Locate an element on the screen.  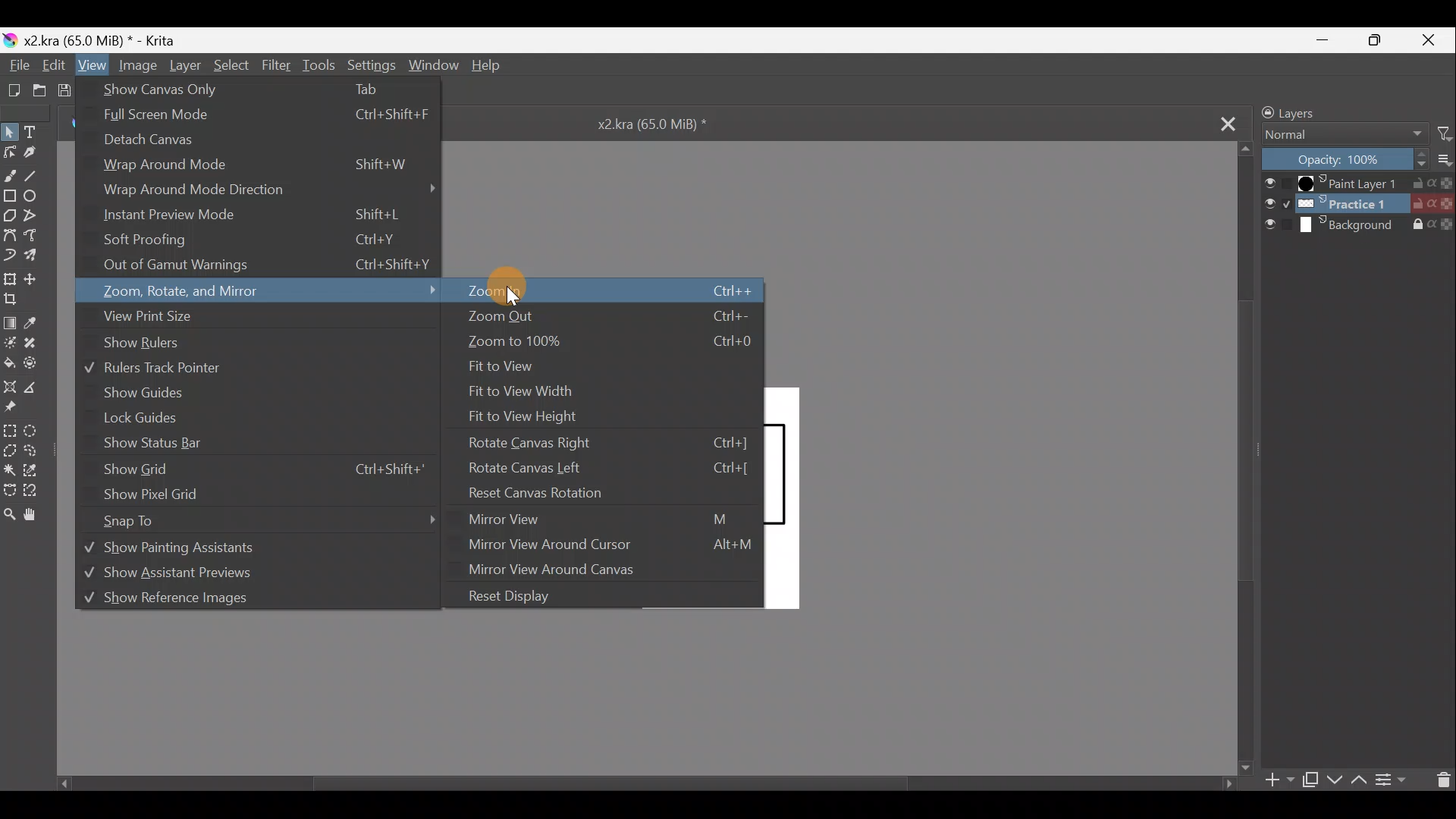
more is located at coordinates (1447, 162).